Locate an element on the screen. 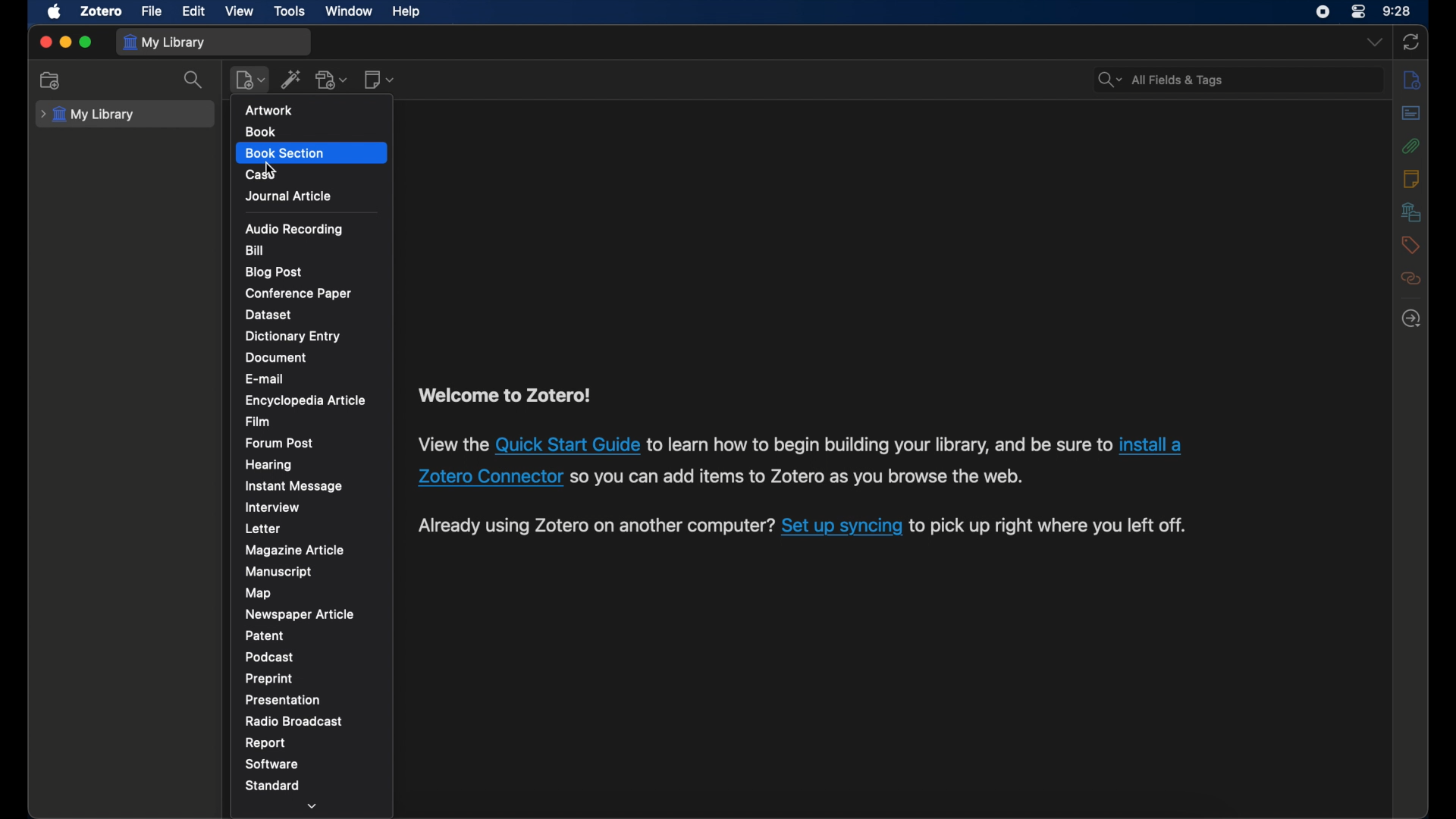  manuscript is located at coordinates (279, 571).